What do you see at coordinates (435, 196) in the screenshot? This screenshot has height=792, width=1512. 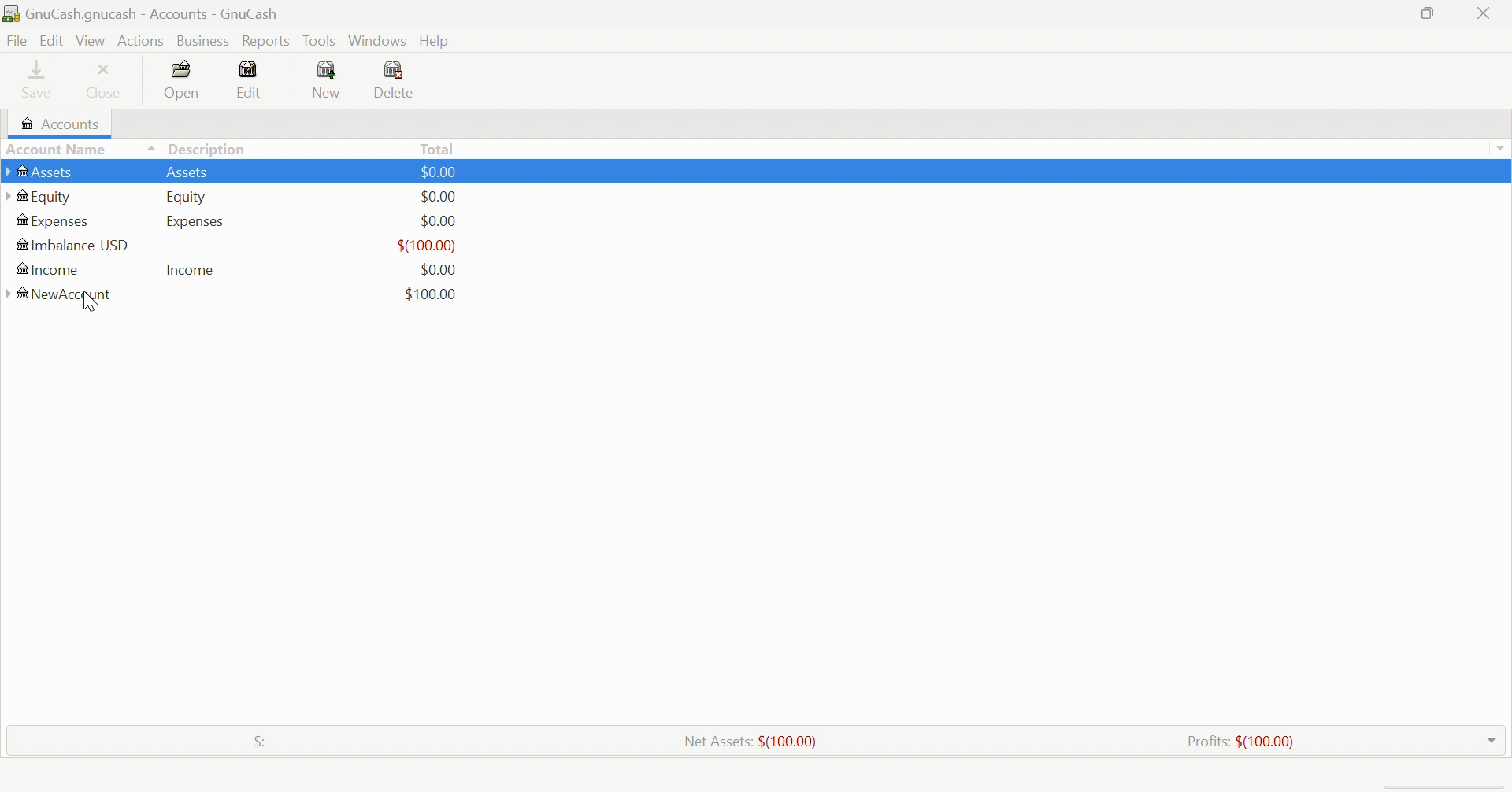 I see `$0.00` at bounding box center [435, 196].